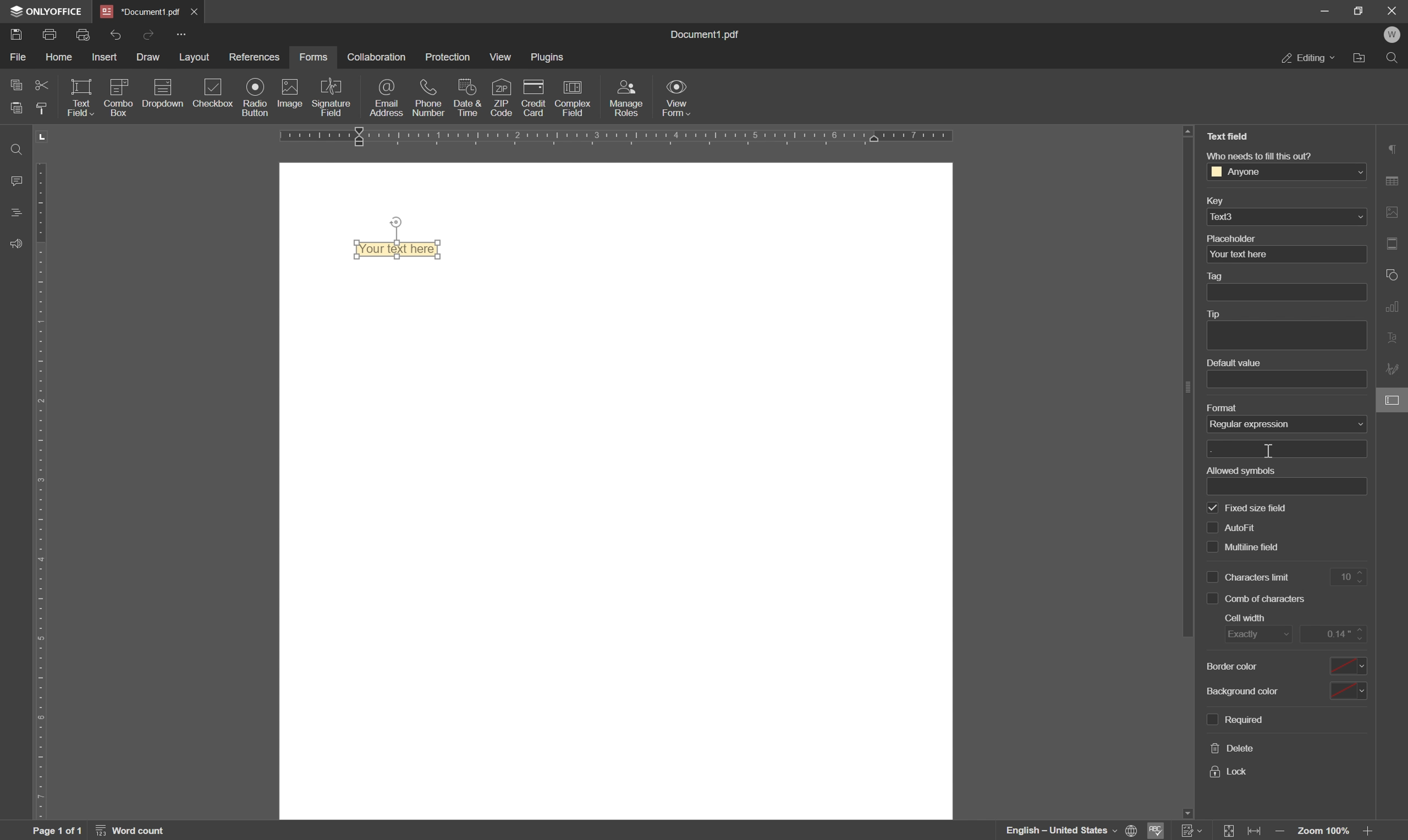 This screenshot has height=840, width=1408. I want to click on tip text box, so click(1282, 336).